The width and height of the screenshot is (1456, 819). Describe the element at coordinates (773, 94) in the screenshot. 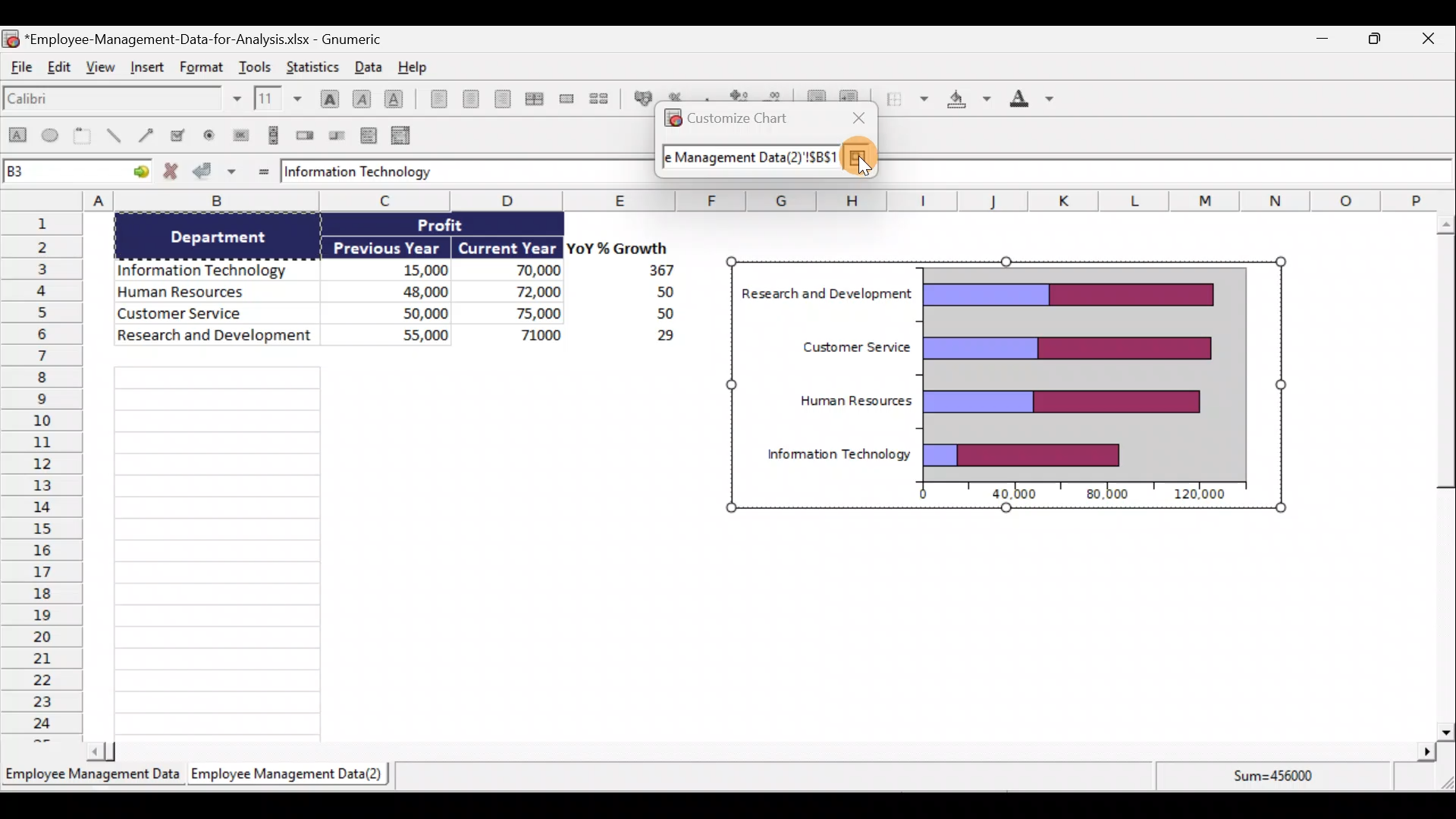

I see `Decrease decimals` at that location.